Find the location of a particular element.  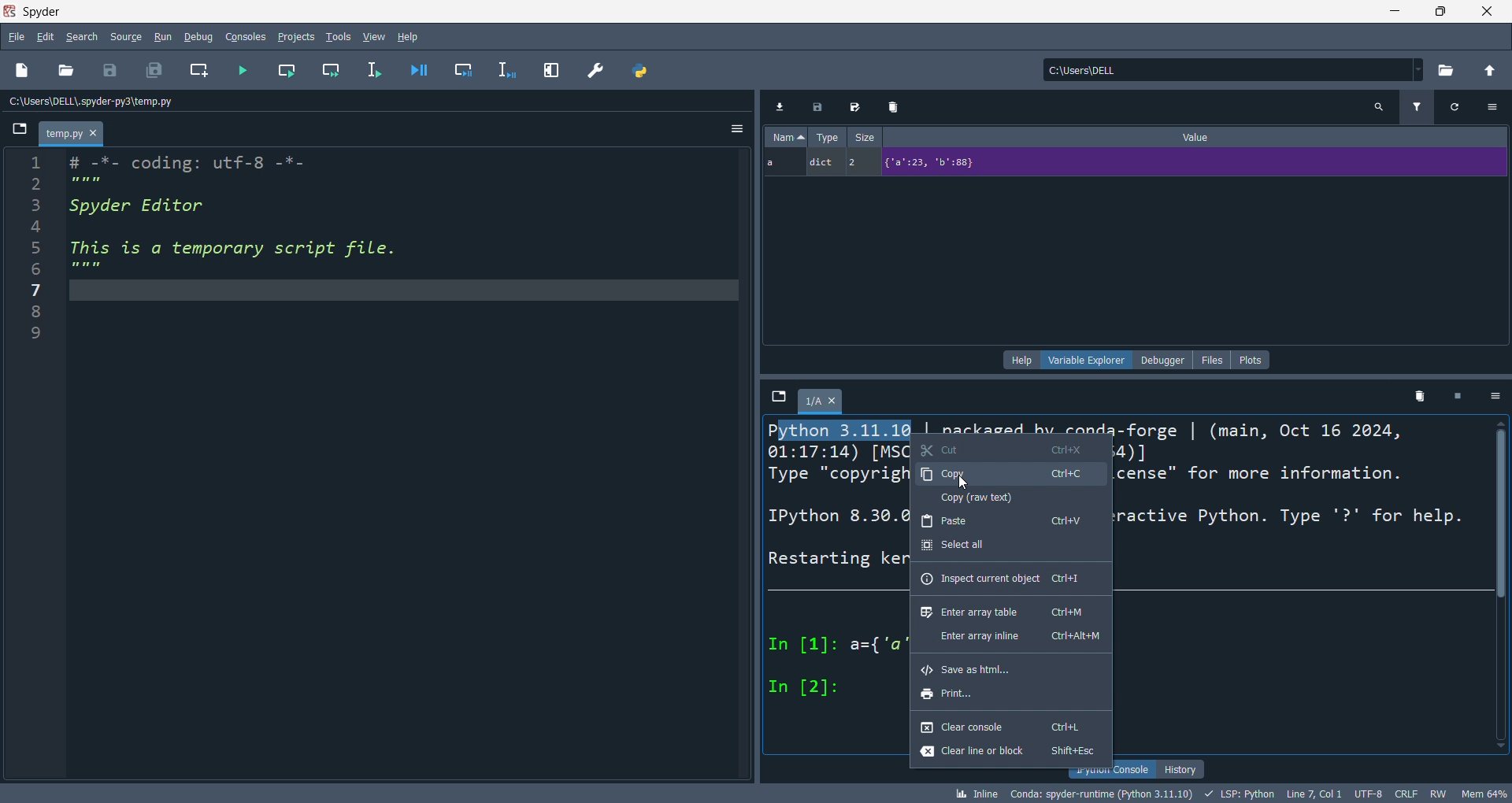

delete is located at coordinates (897, 105).